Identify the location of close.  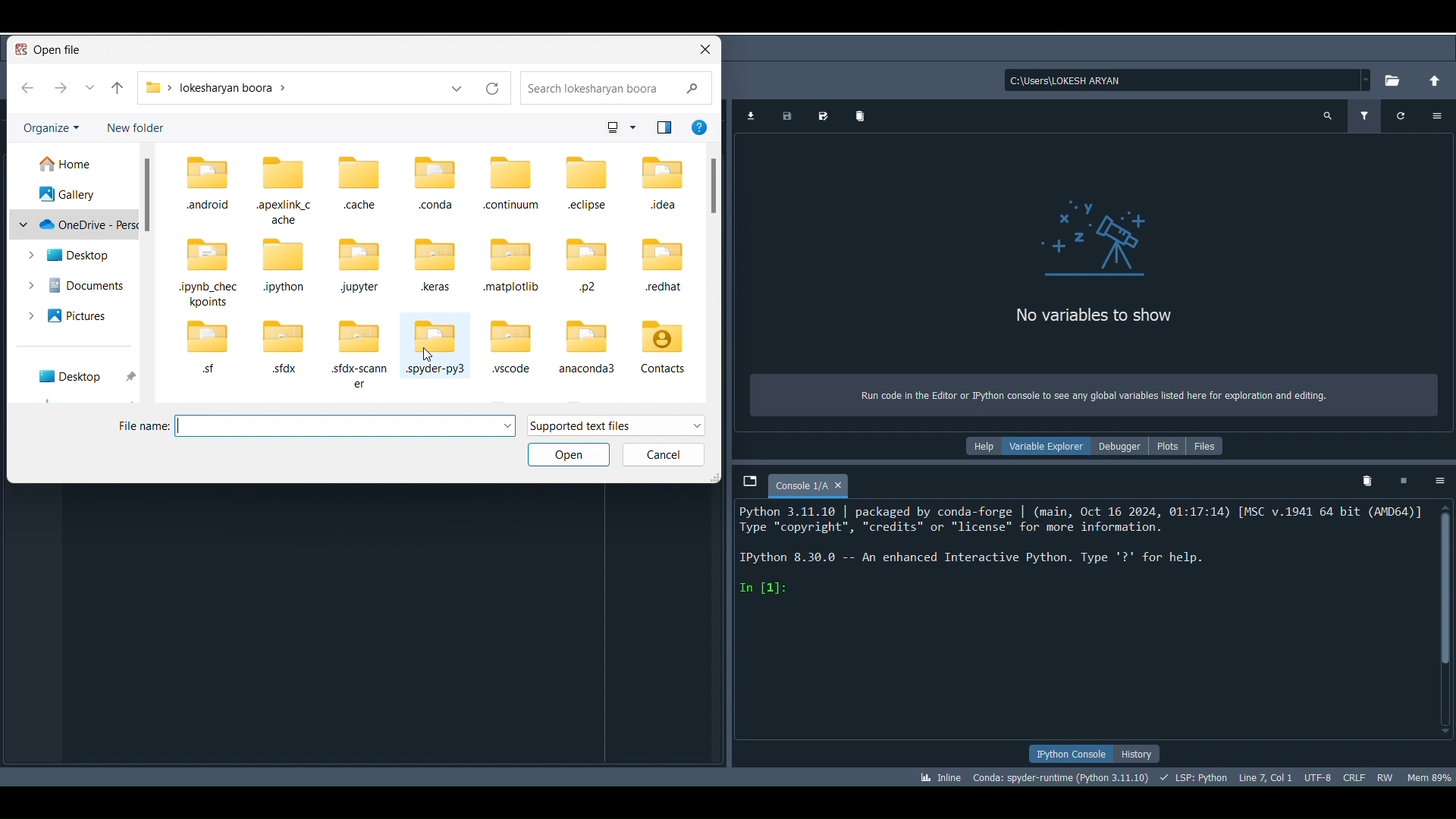
(840, 487).